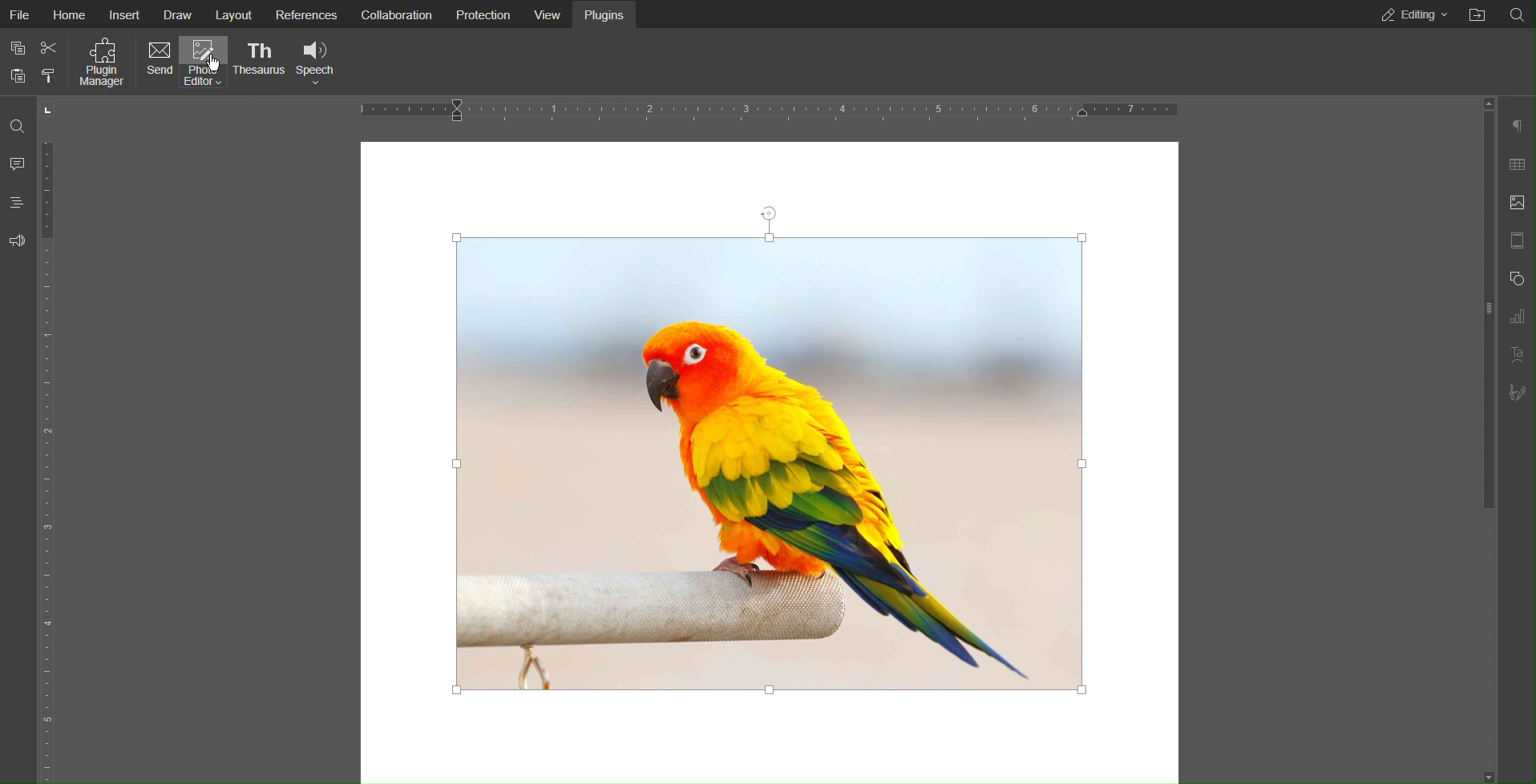 The image size is (1536, 784). What do you see at coordinates (158, 63) in the screenshot?
I see `Send ` at bounding box center [158, 63].